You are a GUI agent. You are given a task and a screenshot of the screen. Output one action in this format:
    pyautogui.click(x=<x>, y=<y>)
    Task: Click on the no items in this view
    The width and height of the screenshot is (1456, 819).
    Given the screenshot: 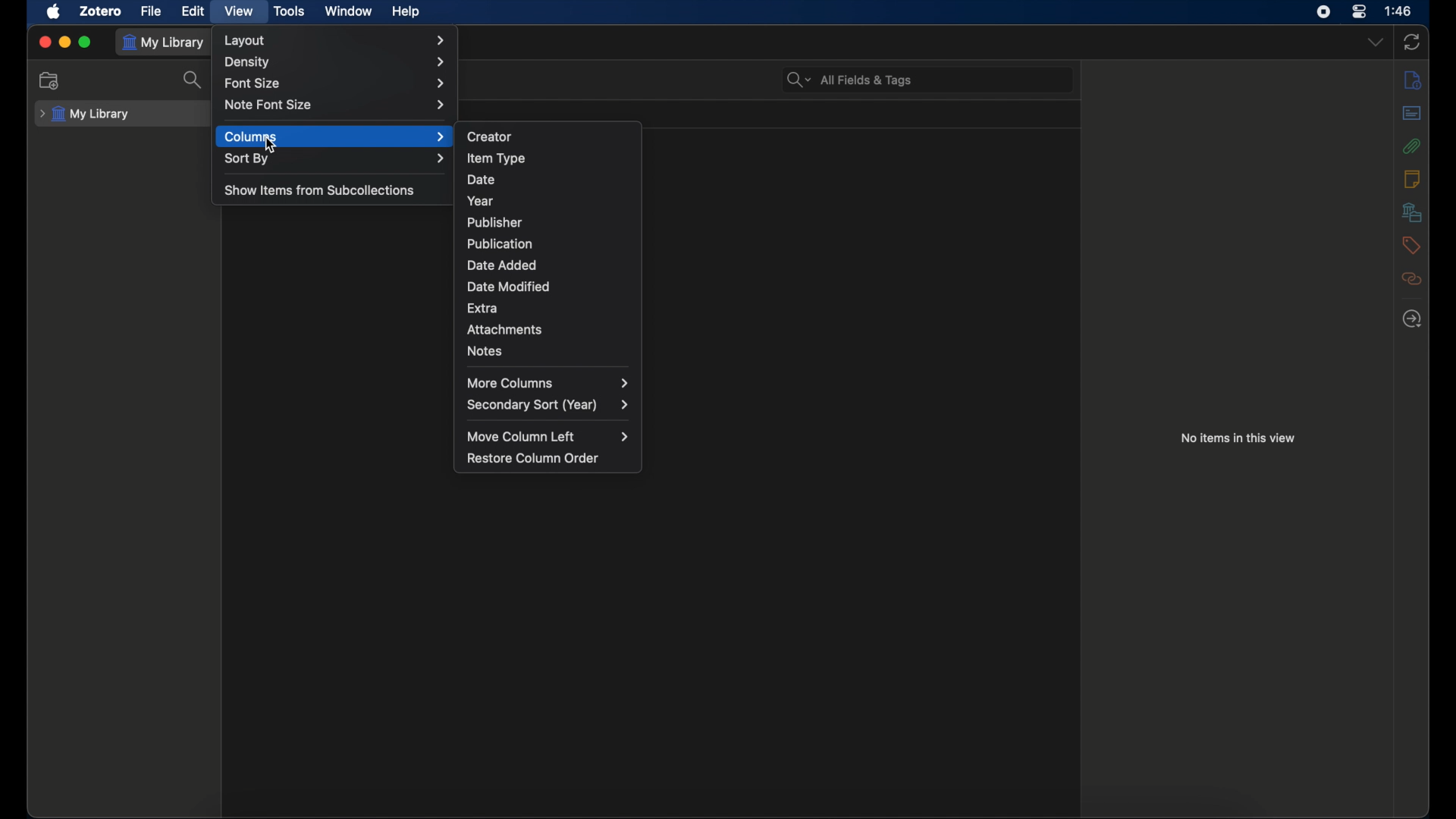 What is the action you would take?
    pyautogui.click(x=1238, y=438)
    